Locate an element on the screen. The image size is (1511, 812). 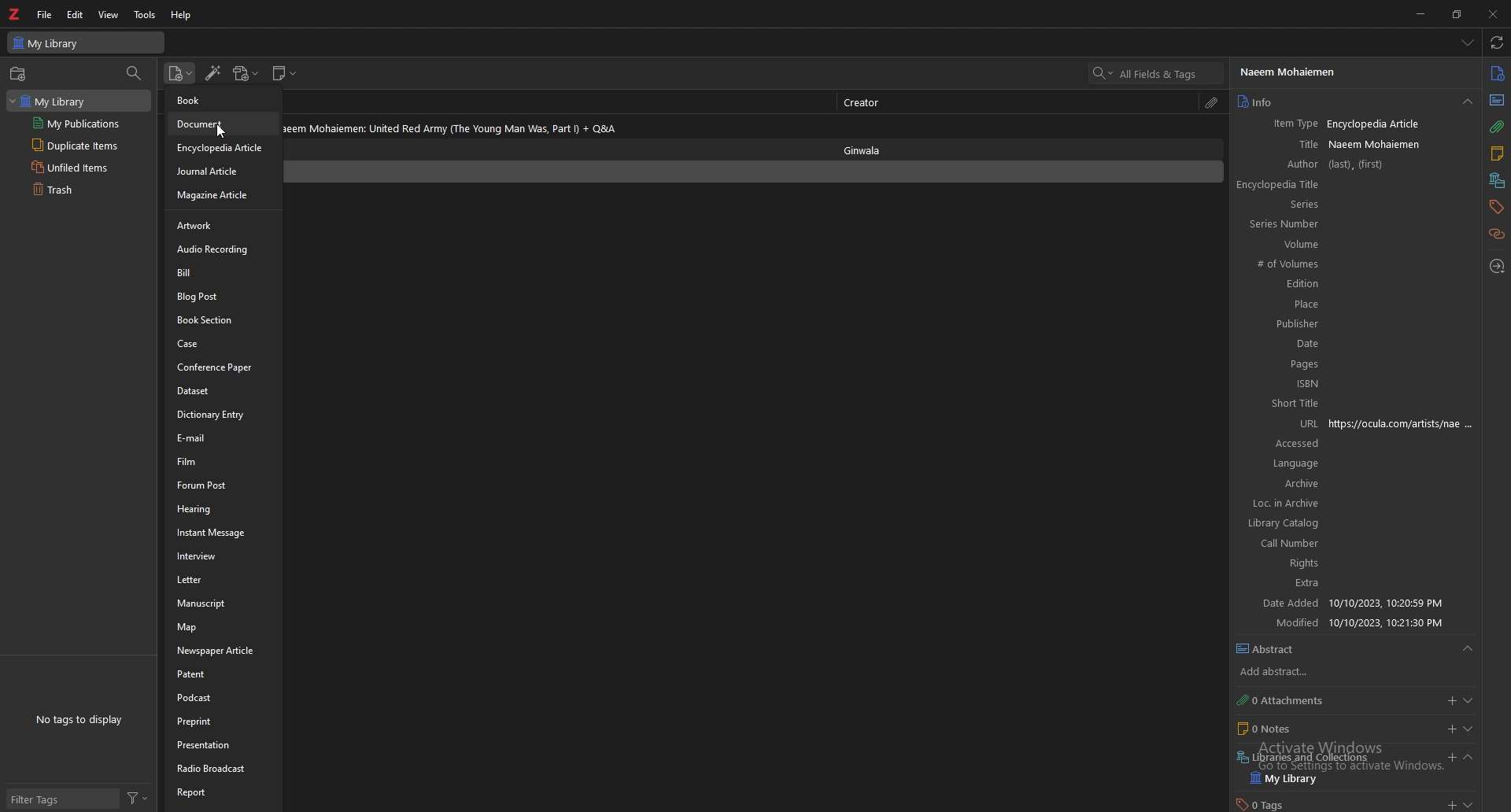
author is located at coordinates (1279, 164).